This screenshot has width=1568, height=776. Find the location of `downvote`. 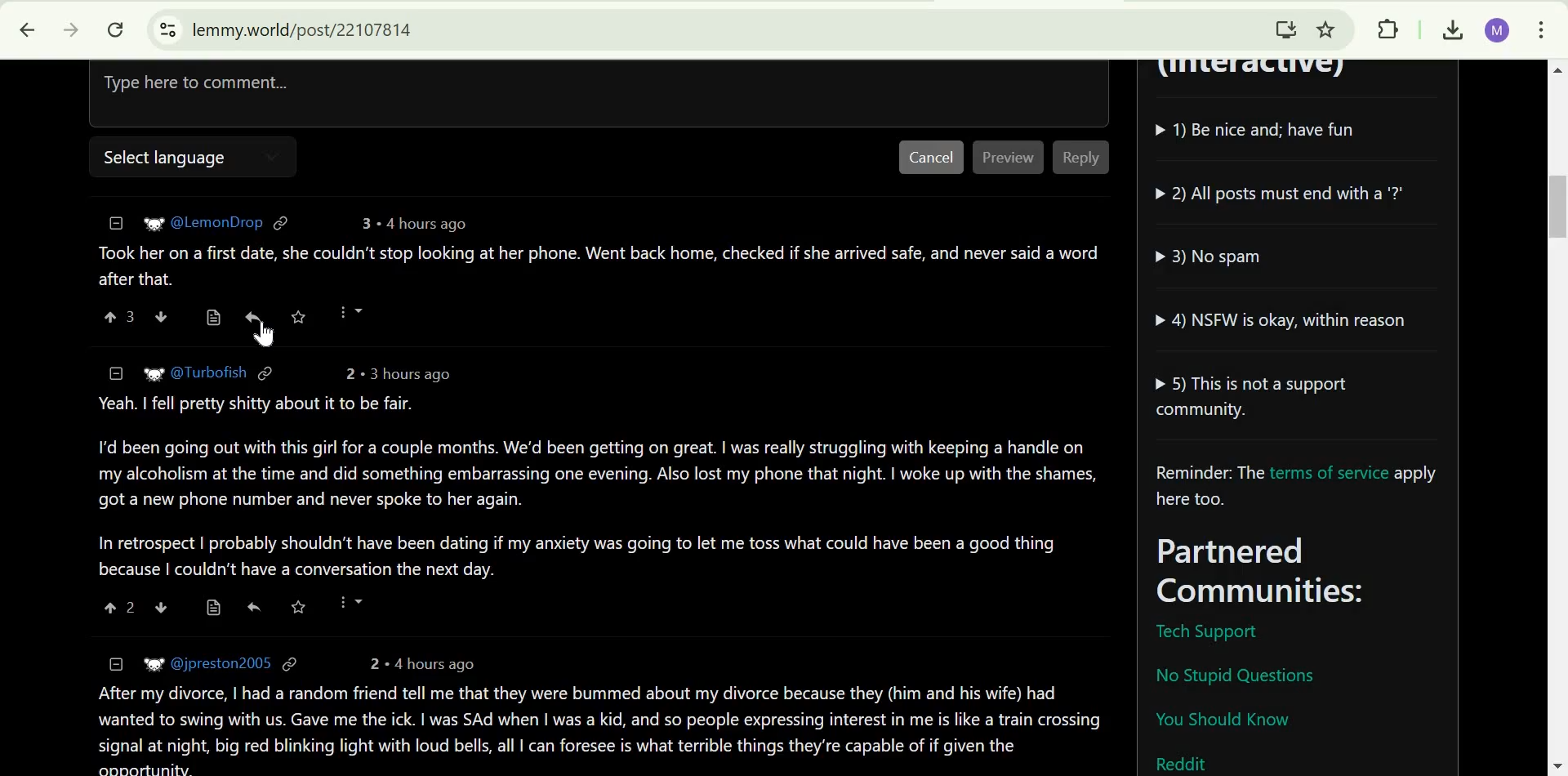

downvote is located at coordinates (164, 608).